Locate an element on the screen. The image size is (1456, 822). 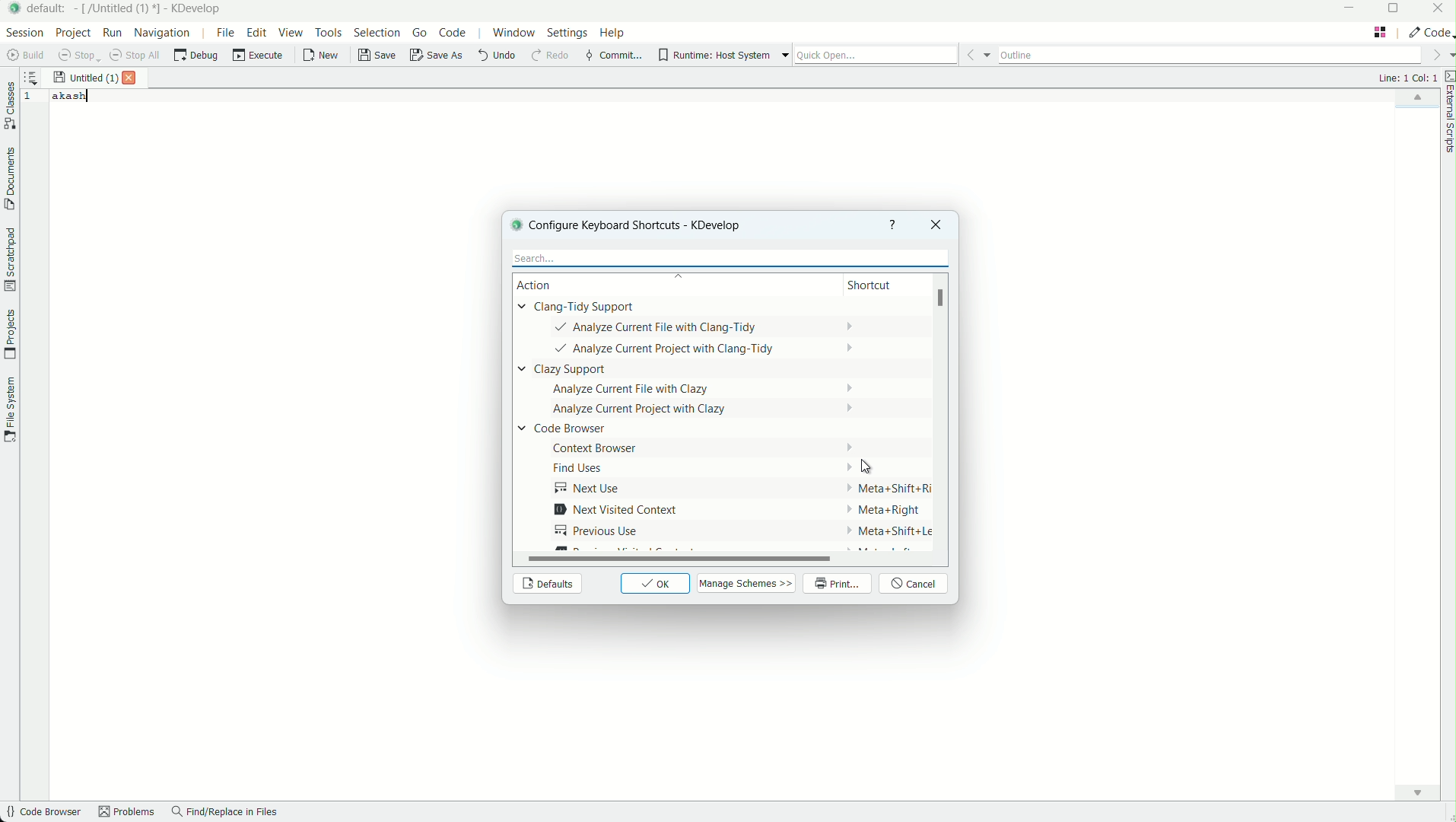
save is located at coordinates (378, 56).